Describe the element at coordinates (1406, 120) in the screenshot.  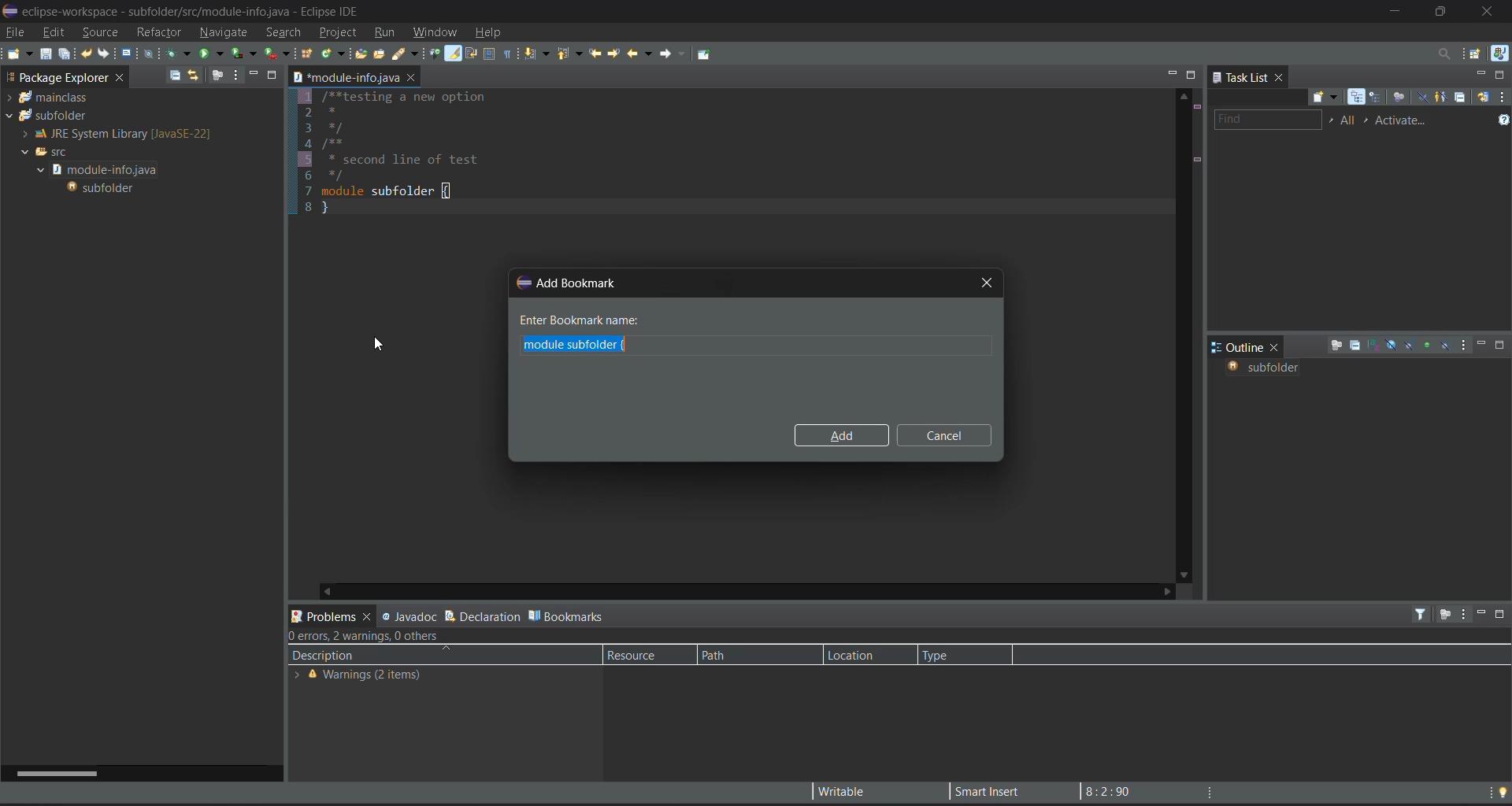
I see `activate` at that location.